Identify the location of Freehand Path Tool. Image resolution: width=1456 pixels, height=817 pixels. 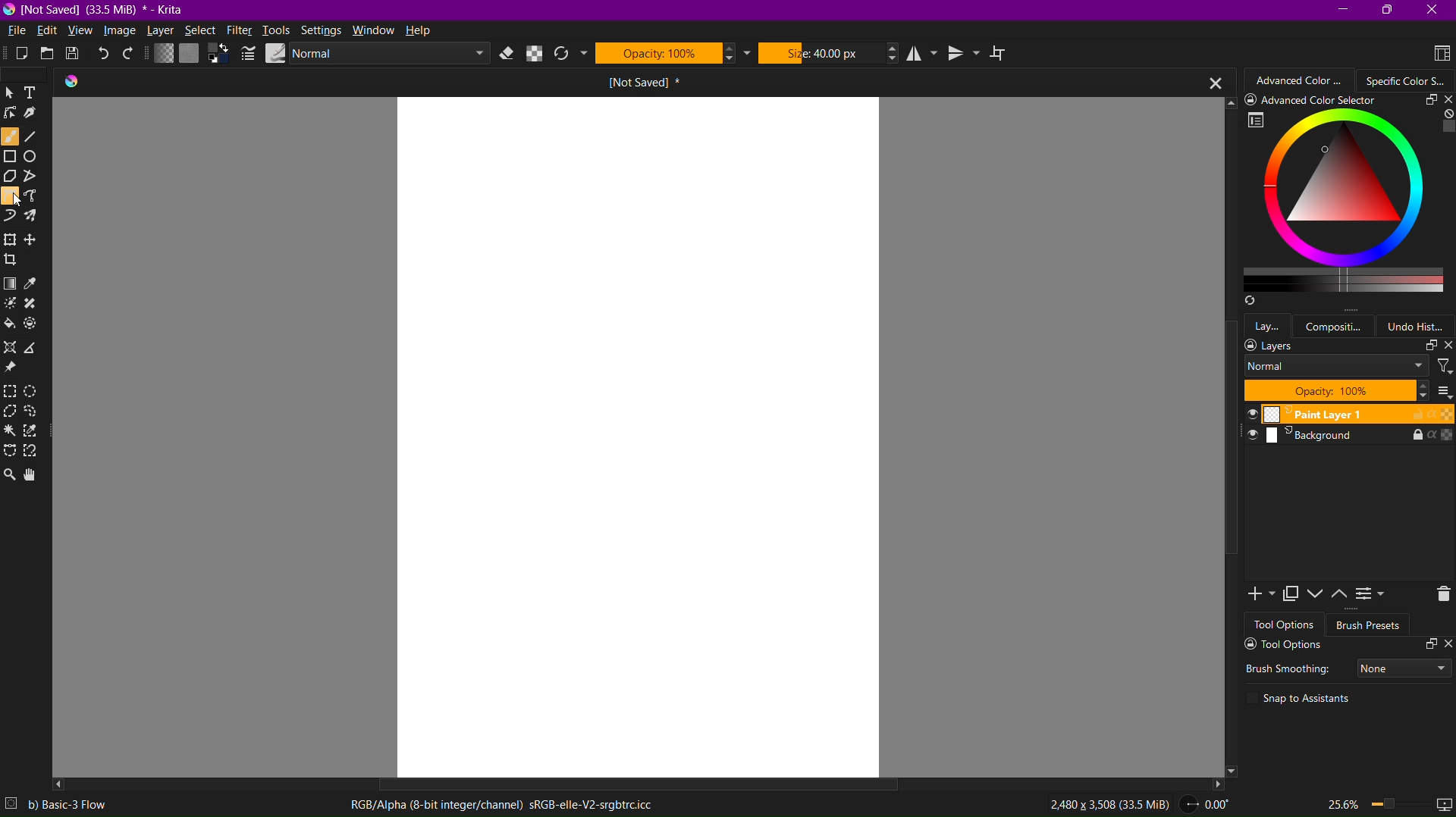
(36, 197).